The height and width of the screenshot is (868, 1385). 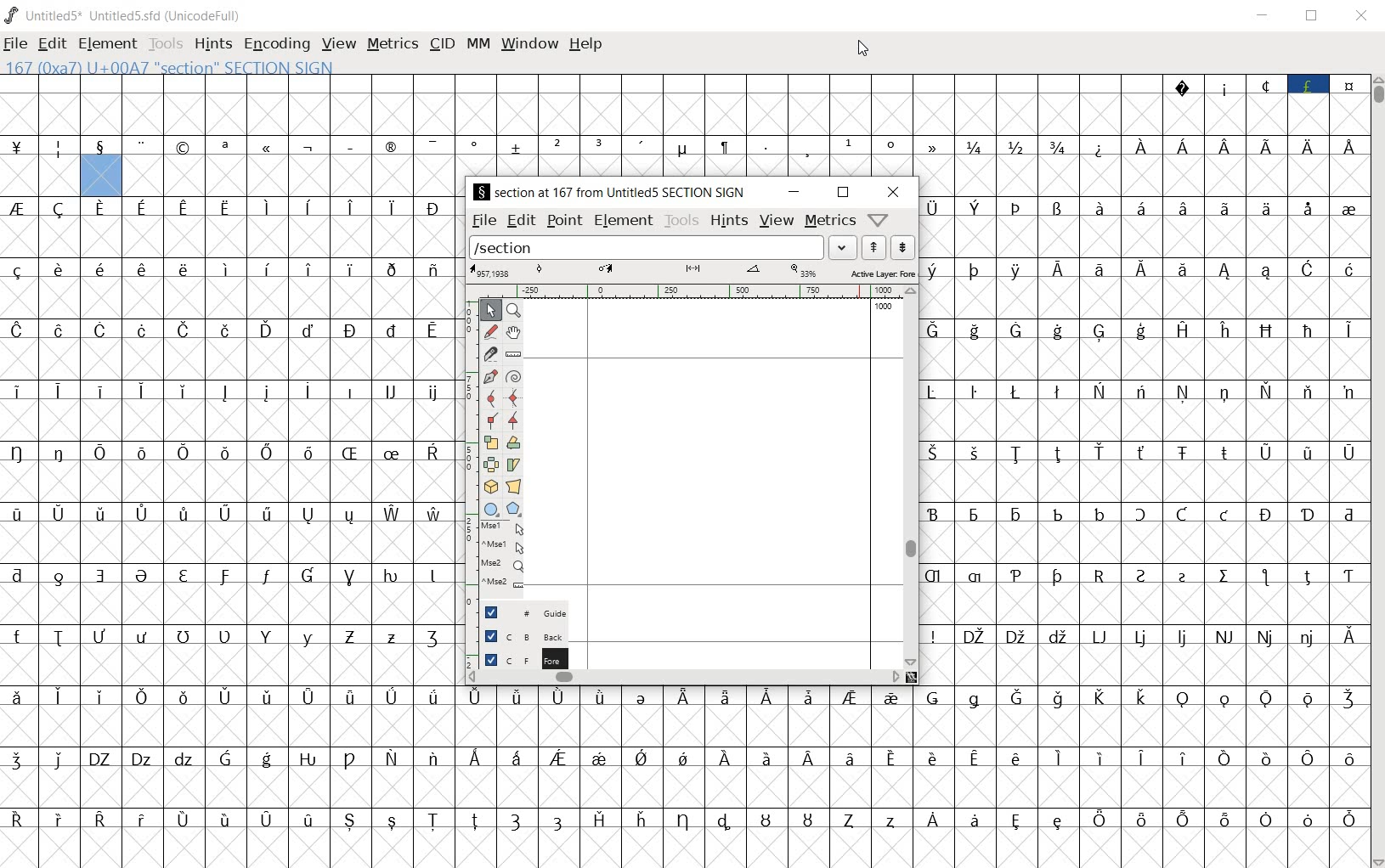 I want to click on add a curve point, so click(x=490, y=397).